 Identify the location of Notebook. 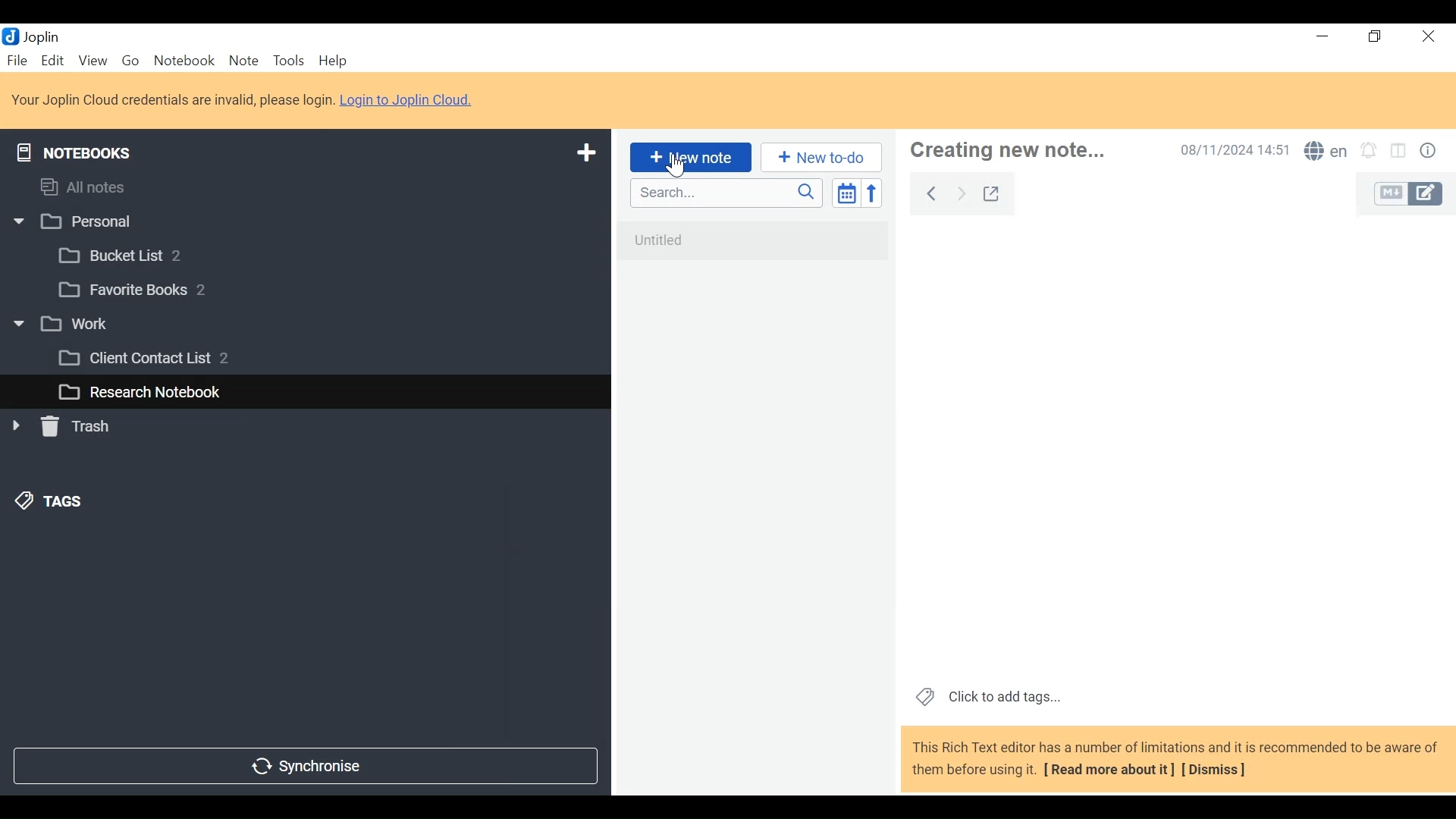
(186, 60).